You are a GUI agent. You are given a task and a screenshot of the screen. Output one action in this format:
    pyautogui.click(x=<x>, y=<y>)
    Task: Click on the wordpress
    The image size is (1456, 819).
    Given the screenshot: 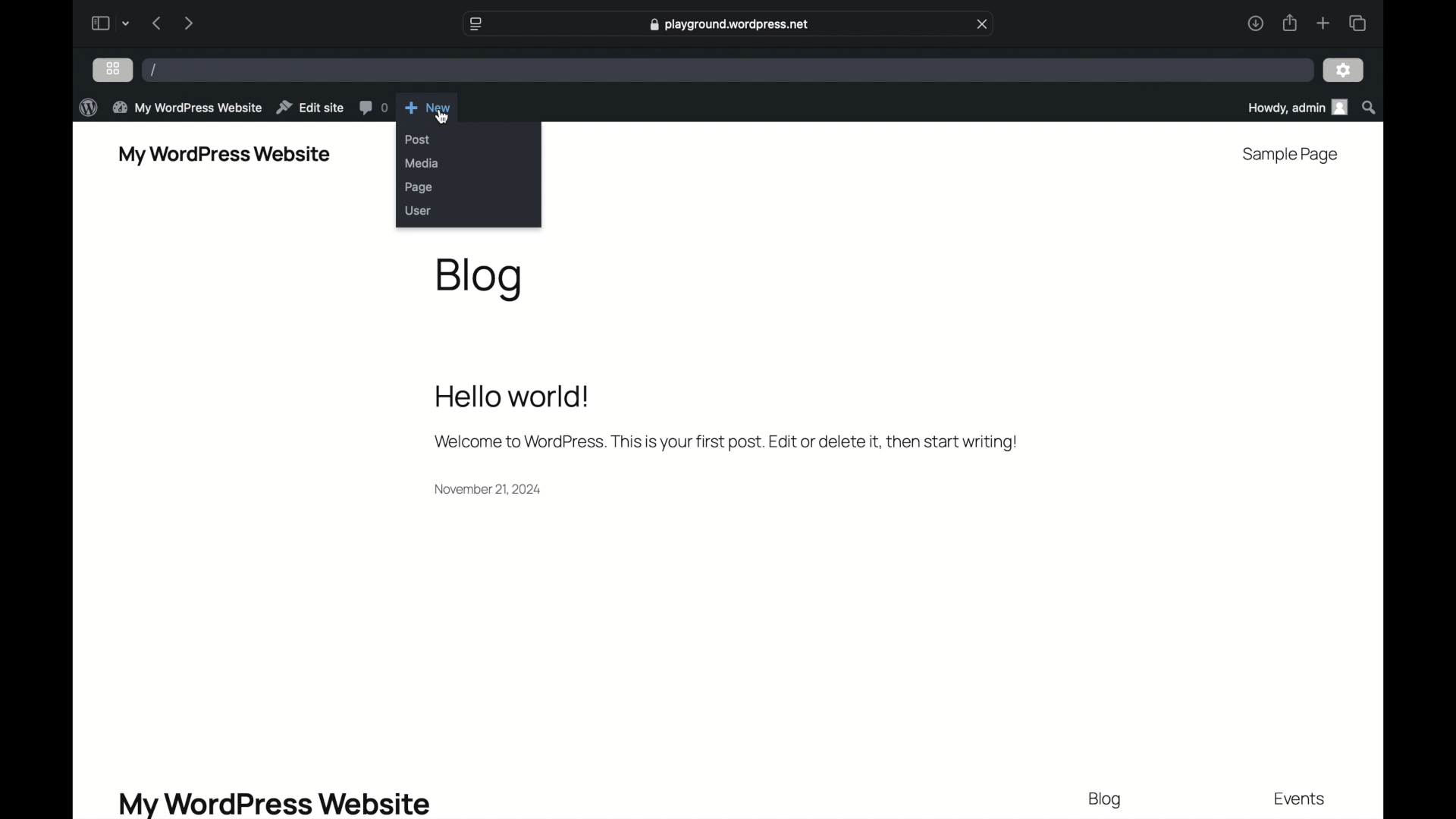 What is the action you would take?
    pyautogui.click(x=88, y=108)
    